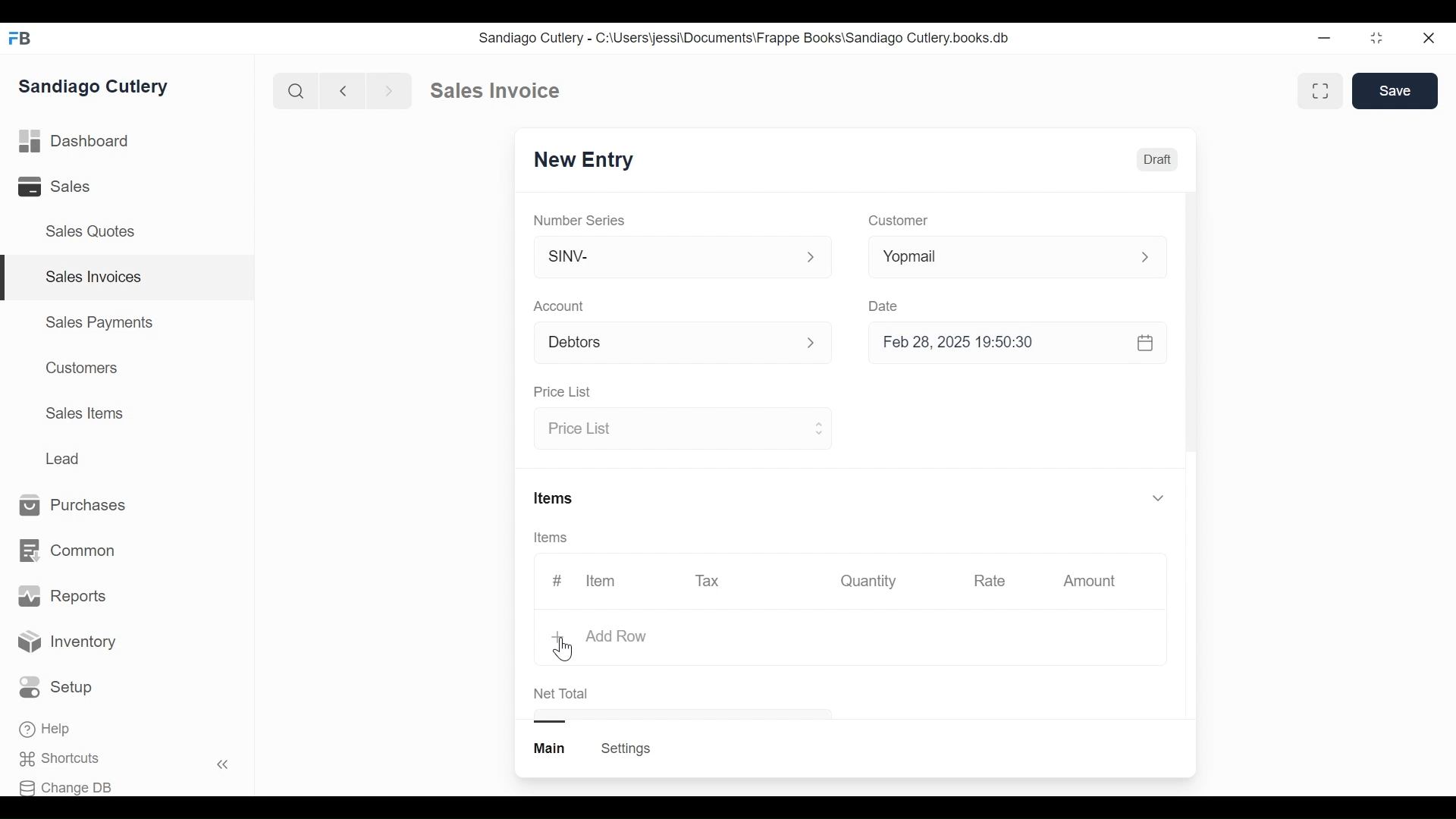  What do you see at coordinates (1191, 321) in the screenshot?
I see `scrollbar` at bounding box center [1191, 321].